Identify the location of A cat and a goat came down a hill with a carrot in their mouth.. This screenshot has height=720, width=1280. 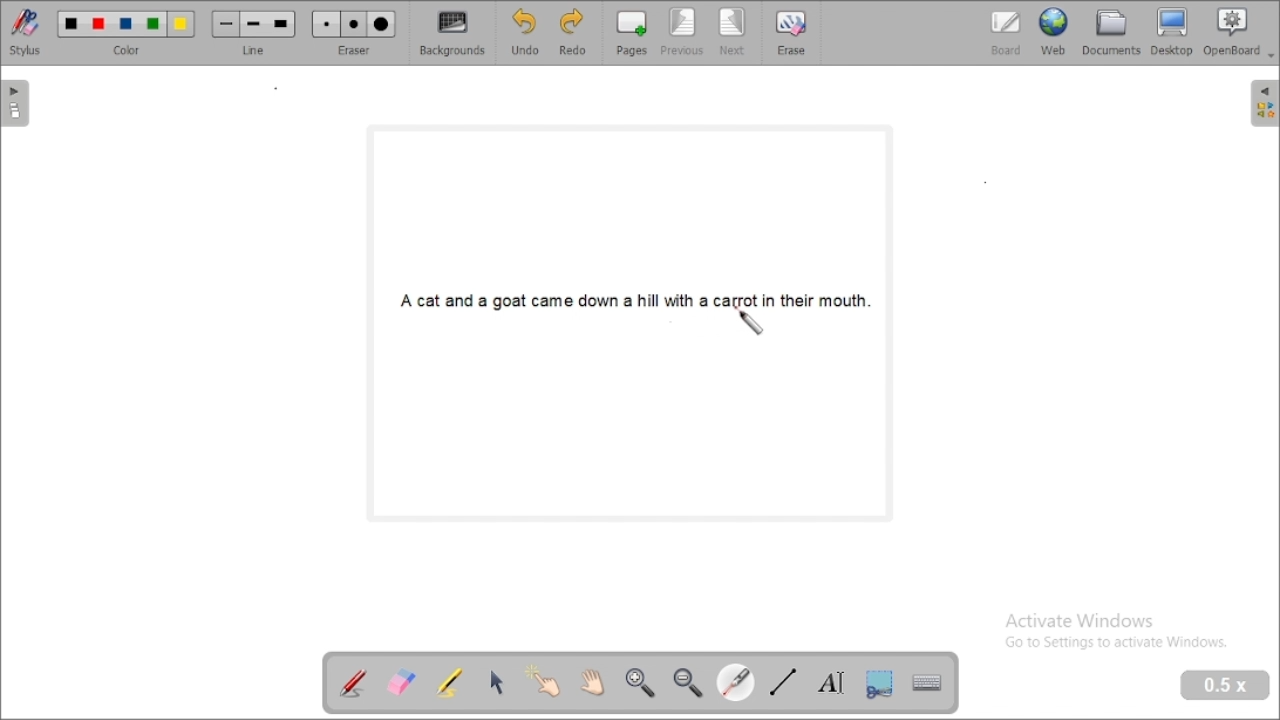
(635, 296).